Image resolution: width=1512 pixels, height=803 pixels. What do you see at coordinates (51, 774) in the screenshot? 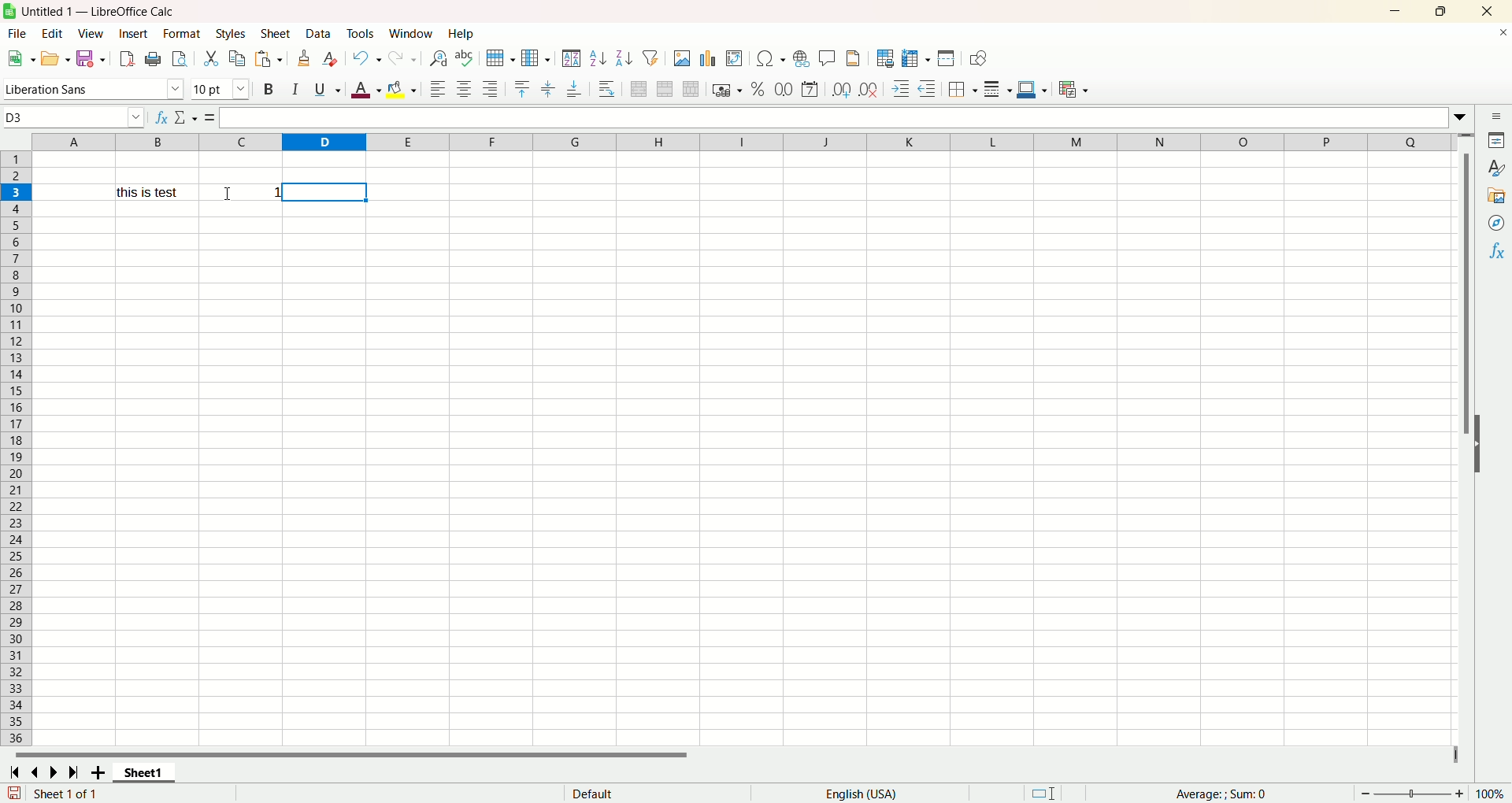
I see `next sheet` at bounding box center [51, 774].